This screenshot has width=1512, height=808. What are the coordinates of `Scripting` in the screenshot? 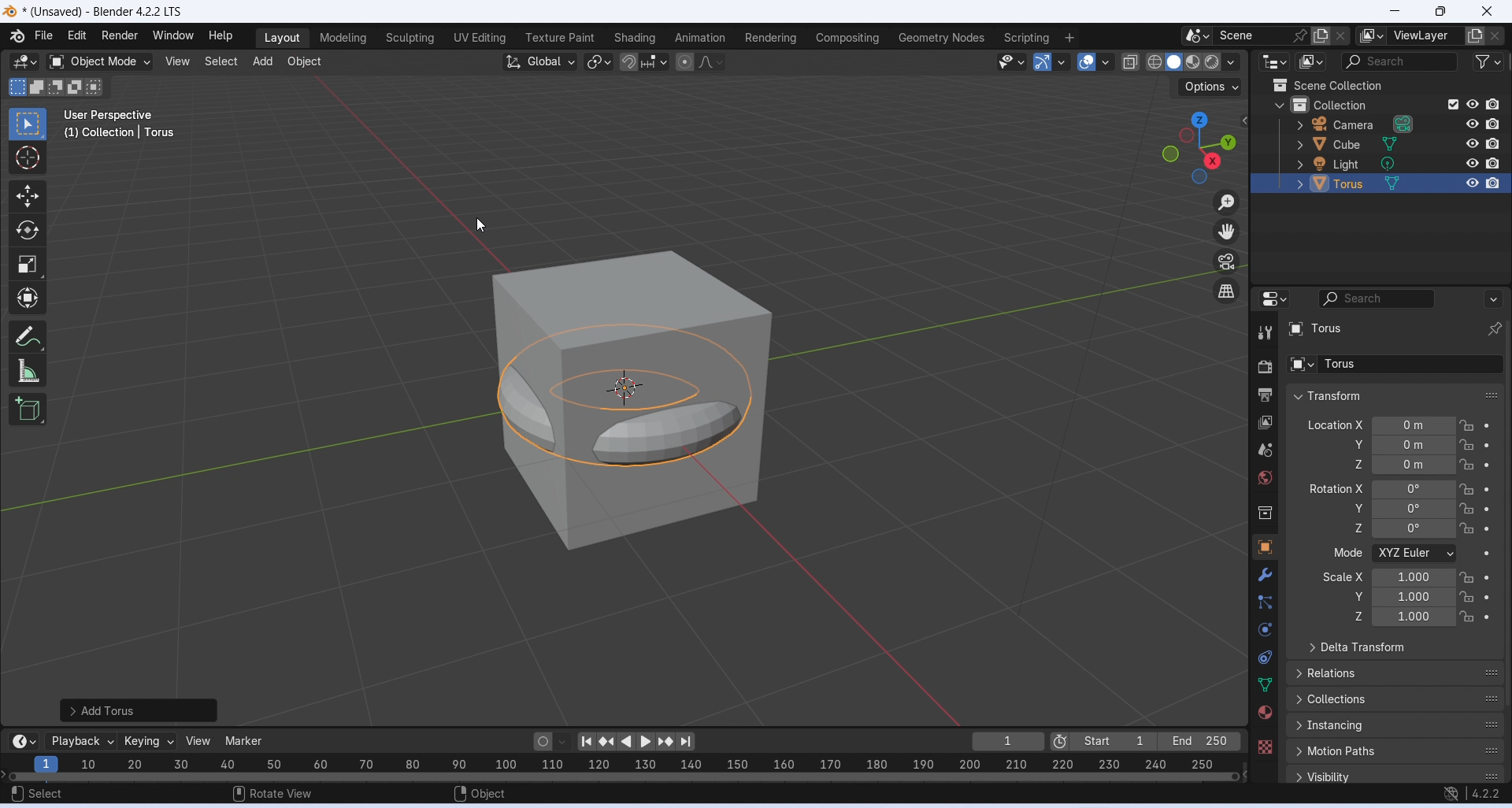 It's located at (1027, 38).